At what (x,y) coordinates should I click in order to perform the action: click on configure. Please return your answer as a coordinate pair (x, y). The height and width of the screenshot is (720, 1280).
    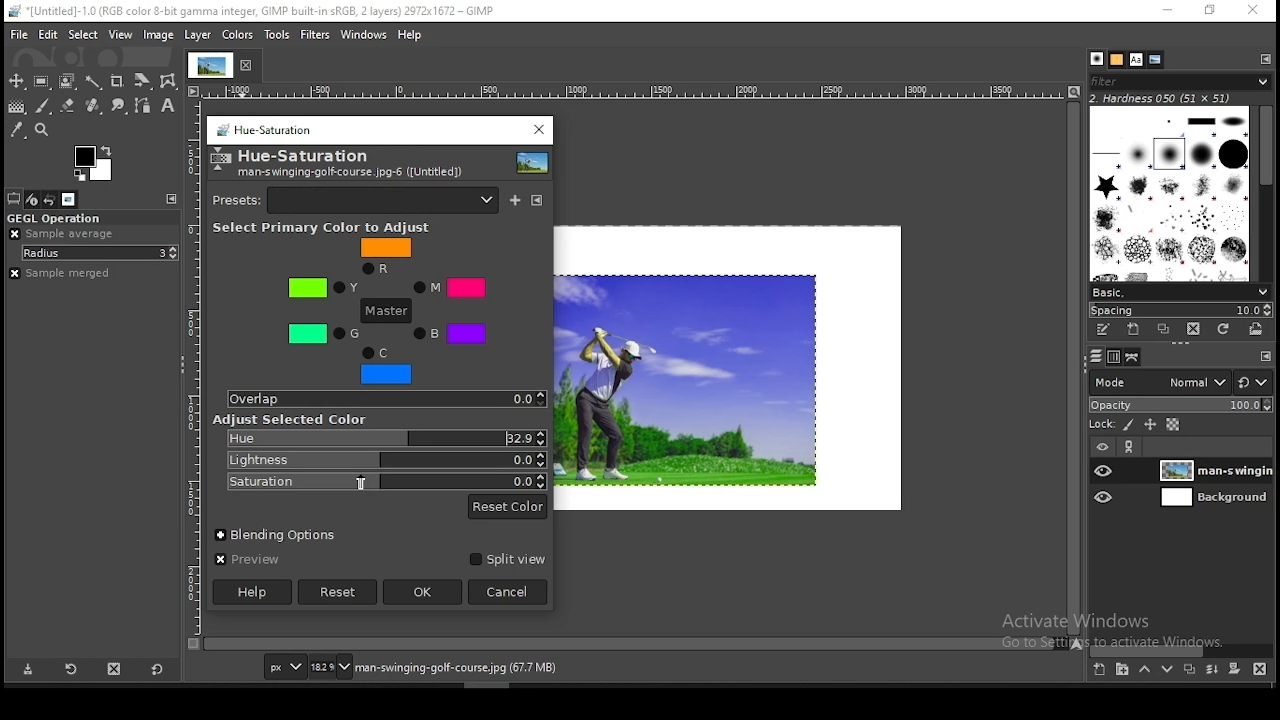
    Looking at the image, I should click on (537, 201).